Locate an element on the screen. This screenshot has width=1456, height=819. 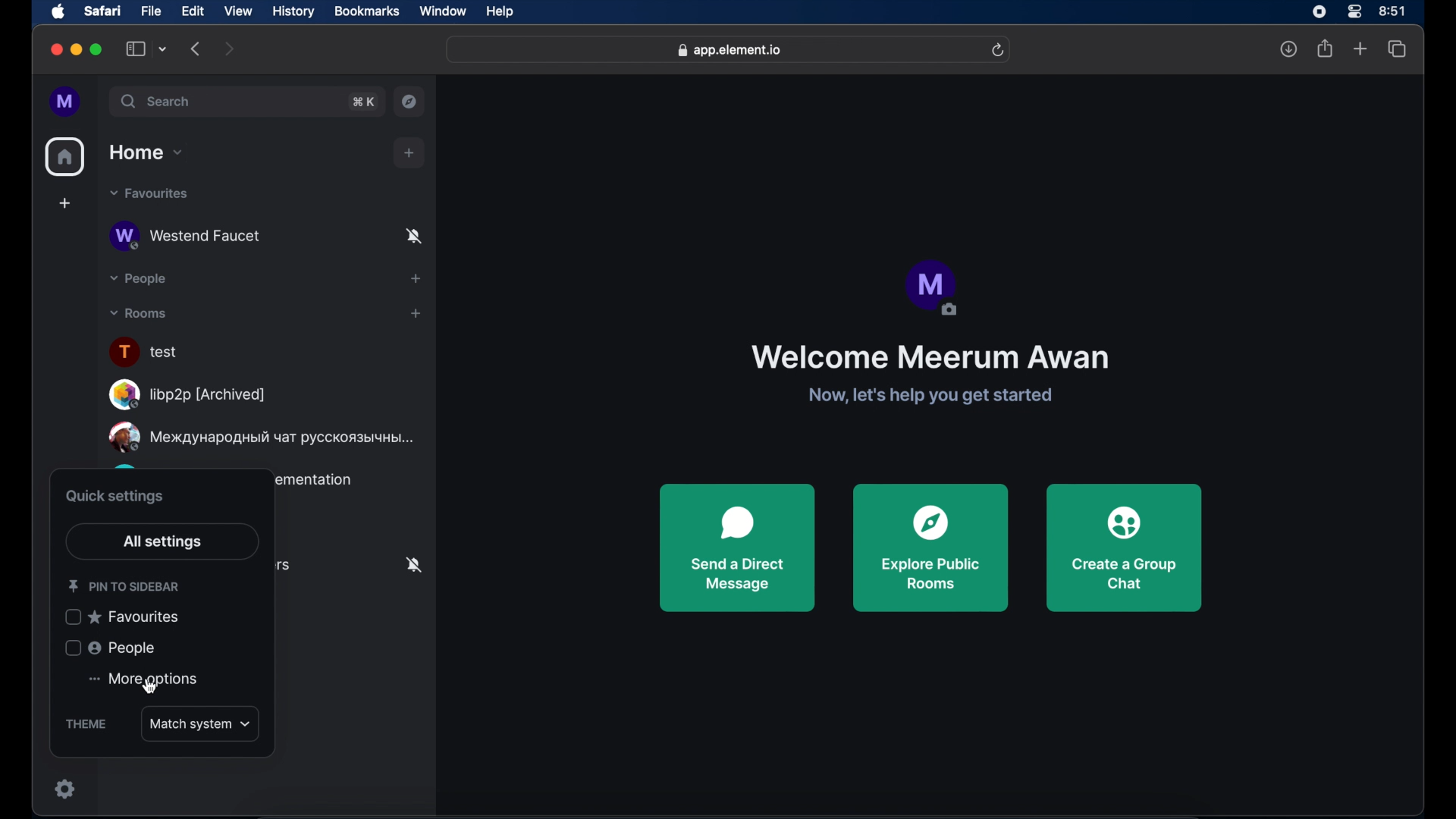
window is located at coordinates (443, 11).